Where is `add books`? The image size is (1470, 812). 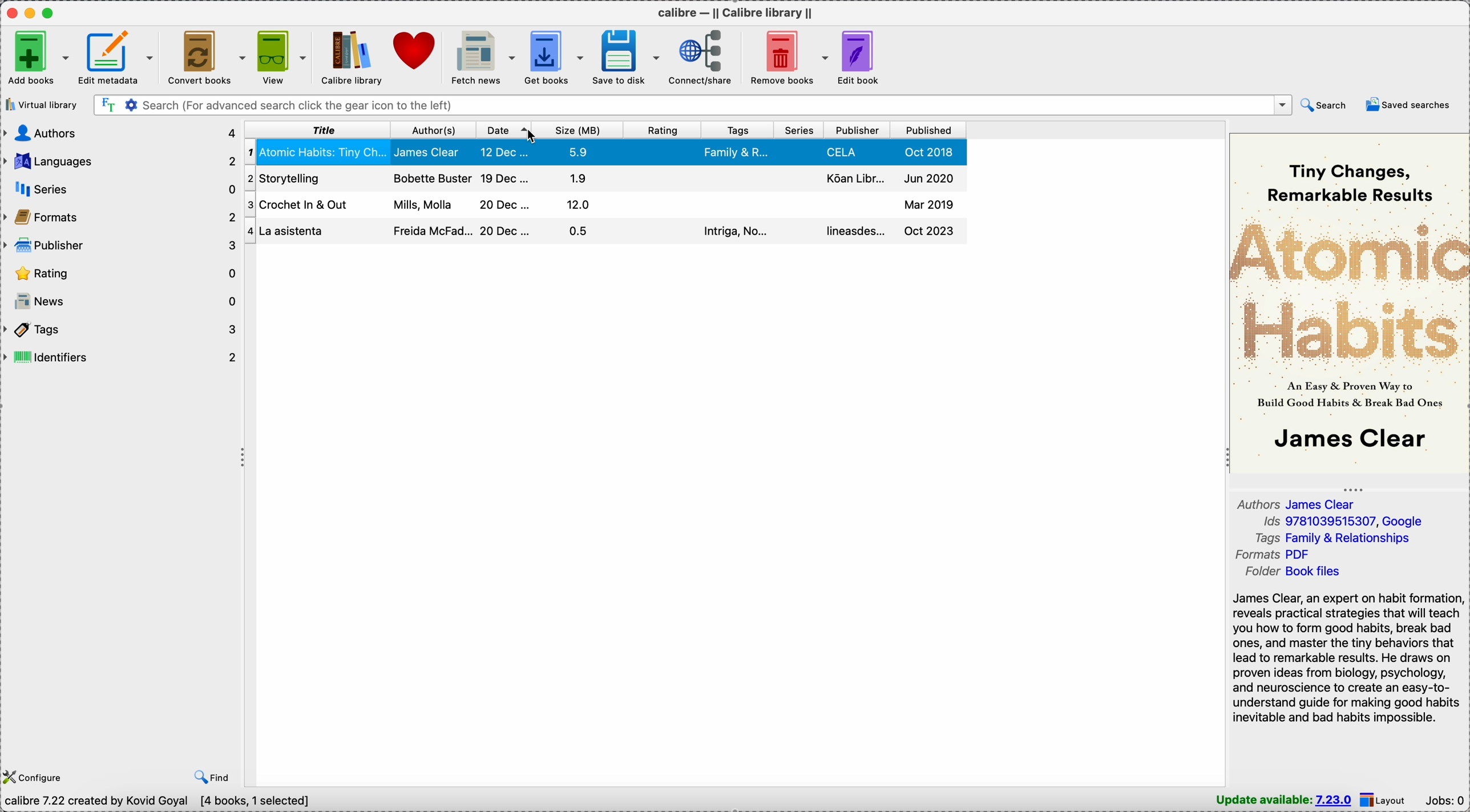
add books is located at coordinates (37, 58).